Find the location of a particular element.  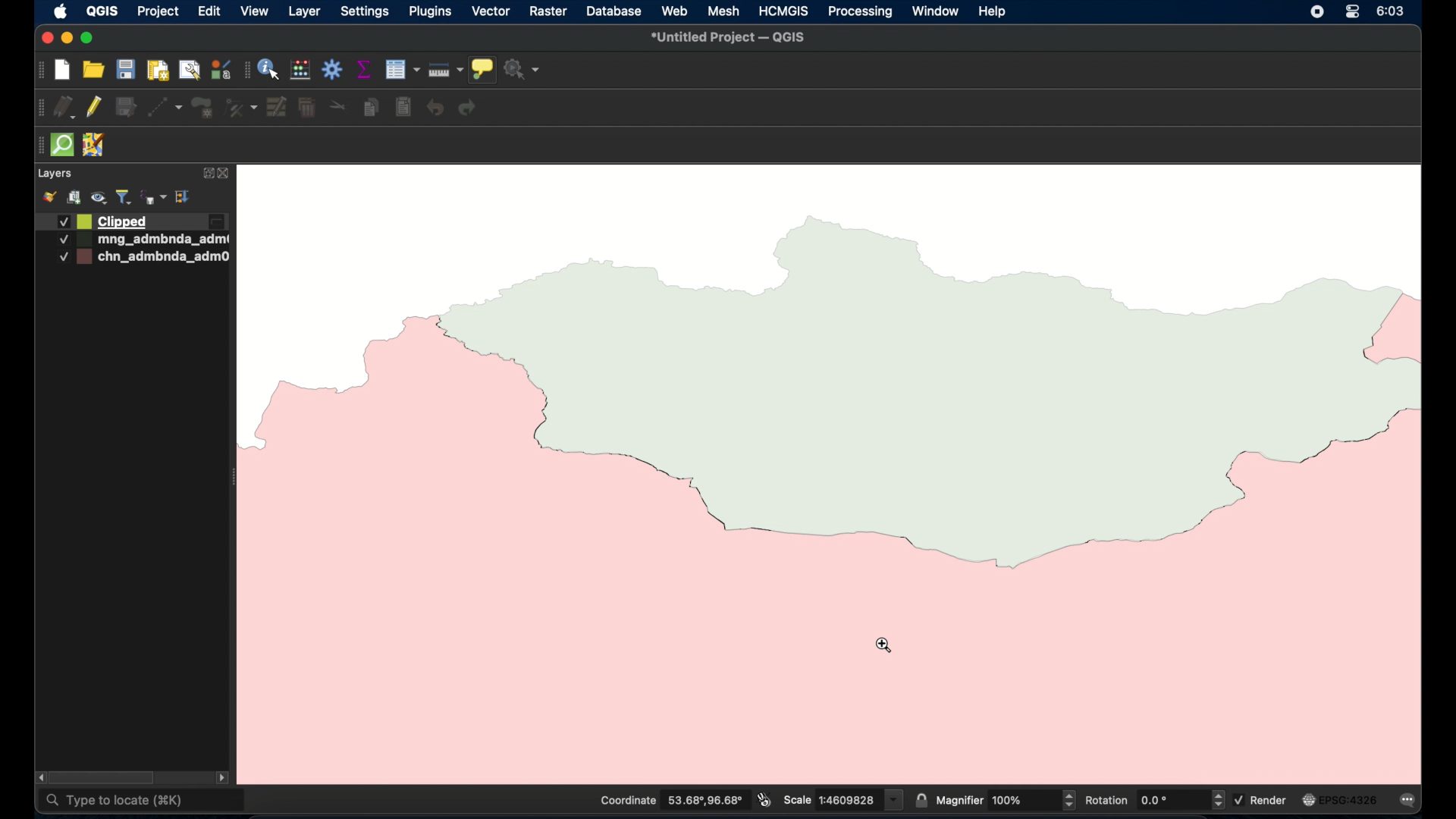

open layout manager is located at coordinates (189, 71).